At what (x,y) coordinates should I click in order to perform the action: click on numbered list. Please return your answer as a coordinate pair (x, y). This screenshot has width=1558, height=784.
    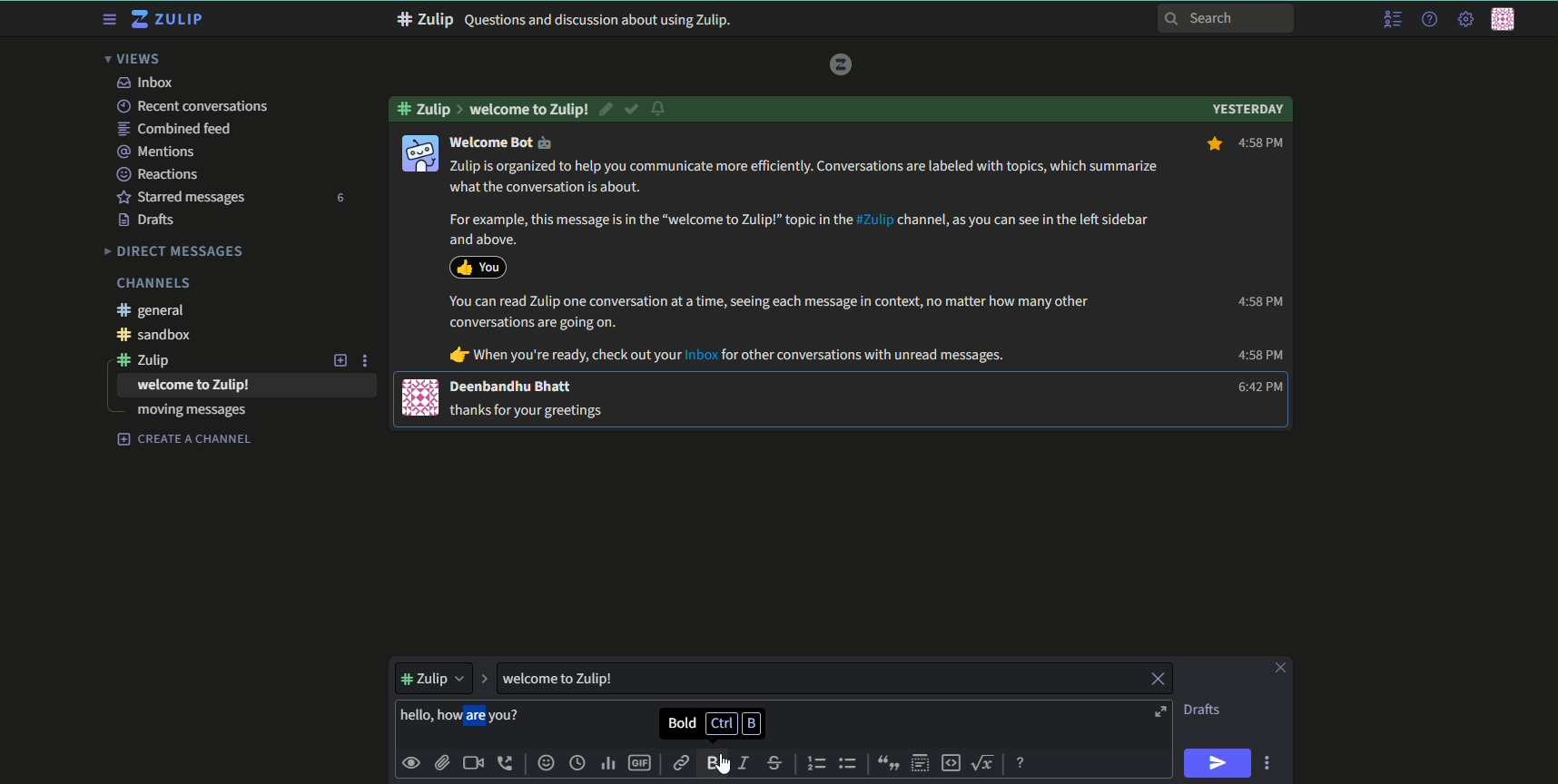
    Looking at the image, I should click on (817, 763).